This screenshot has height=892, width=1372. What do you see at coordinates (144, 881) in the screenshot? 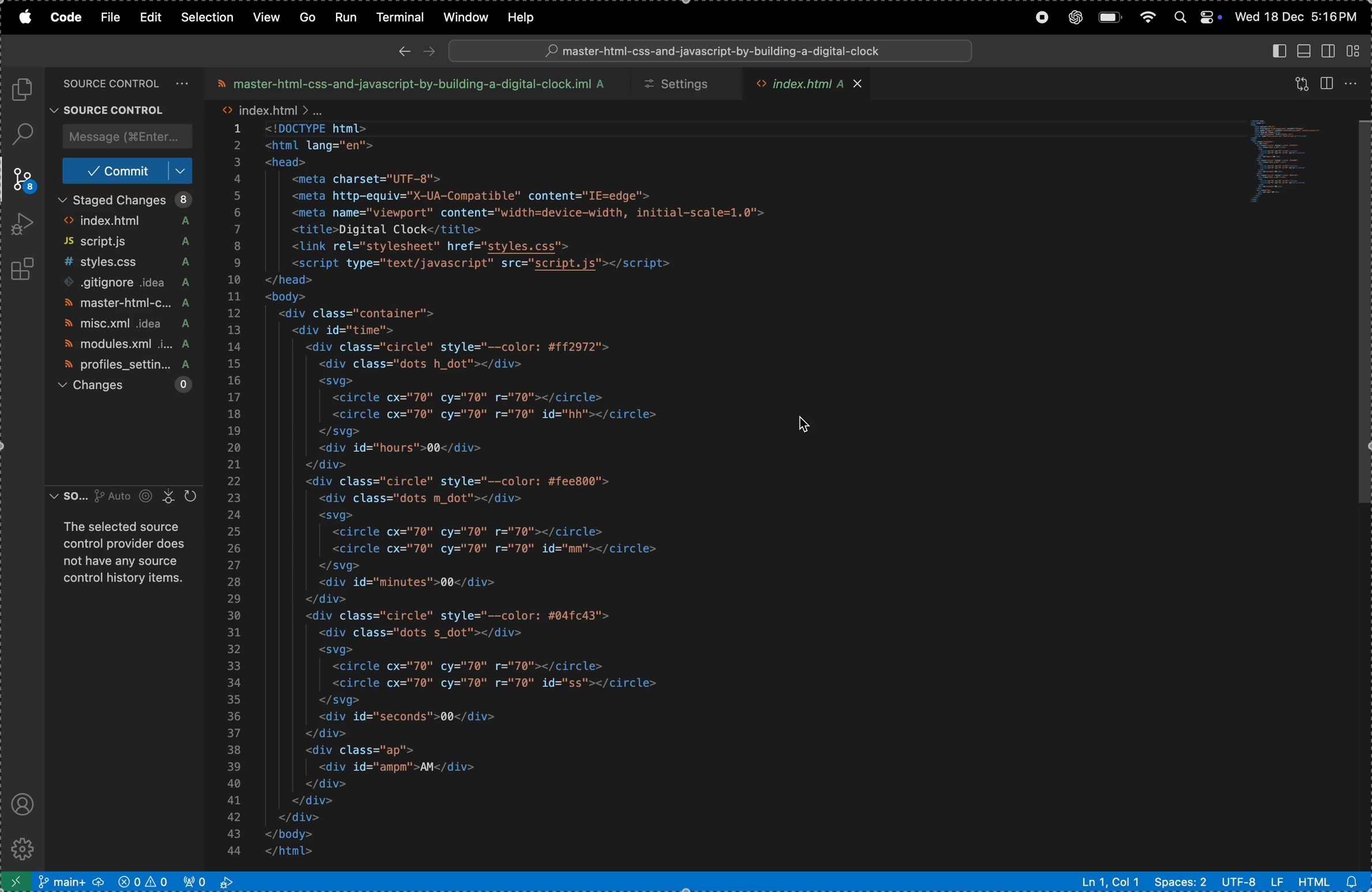
I see `view port ` at bounding box center [144, 881].